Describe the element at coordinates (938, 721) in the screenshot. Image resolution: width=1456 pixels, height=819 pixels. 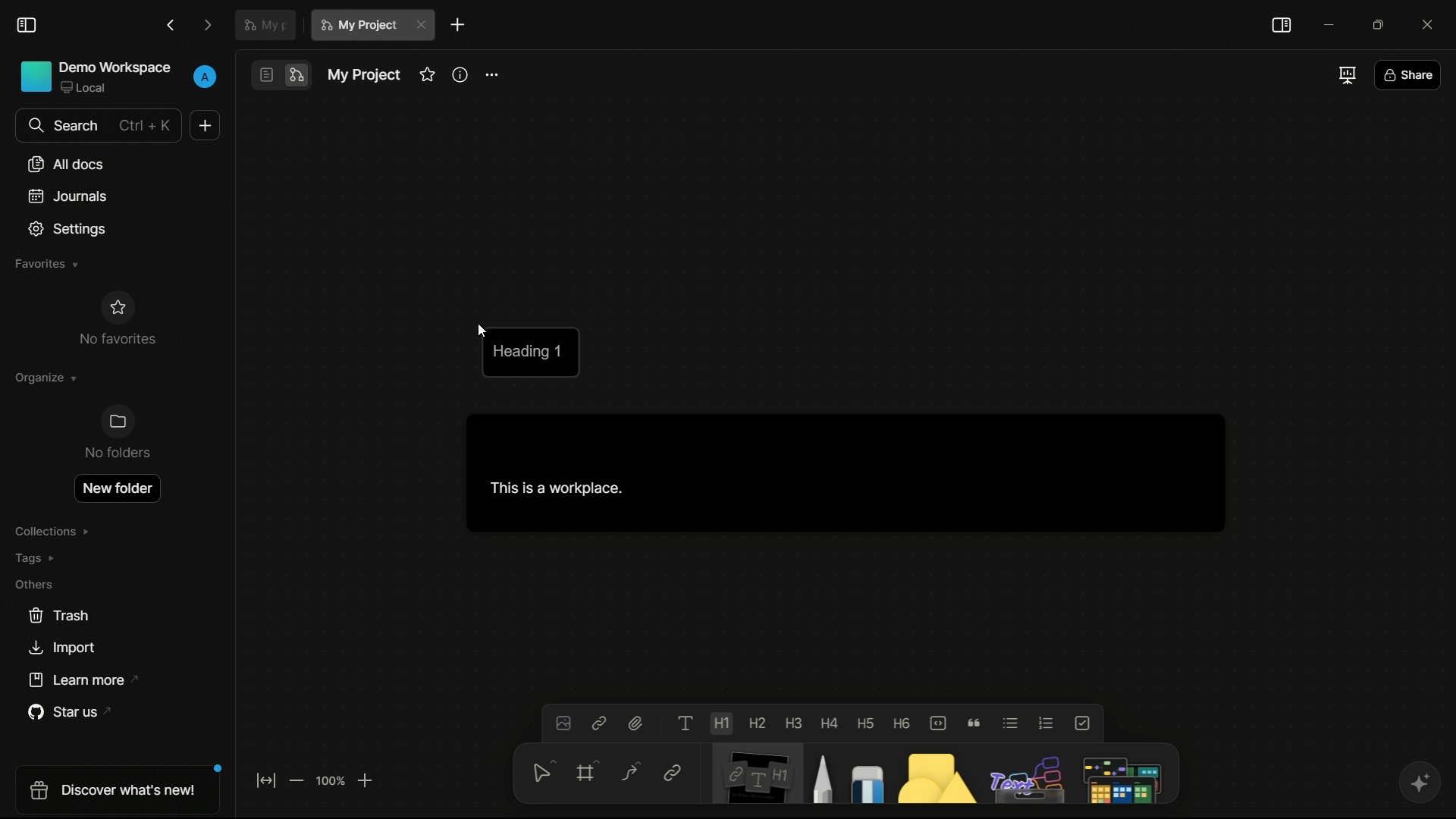
I see `code block` at that location.